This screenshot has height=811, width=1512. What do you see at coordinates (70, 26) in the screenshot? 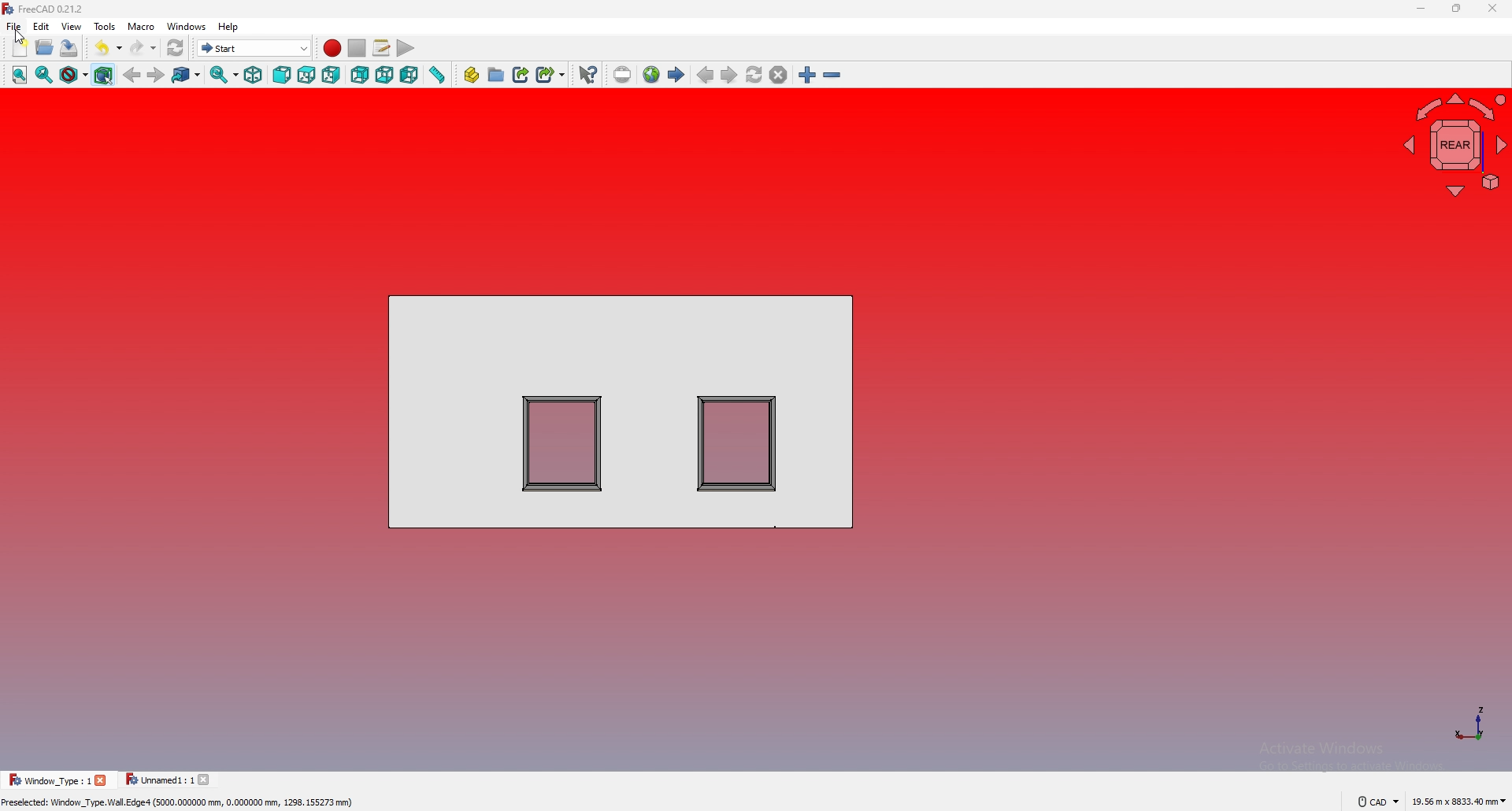
I see `view` at bounding box center [70, 26].